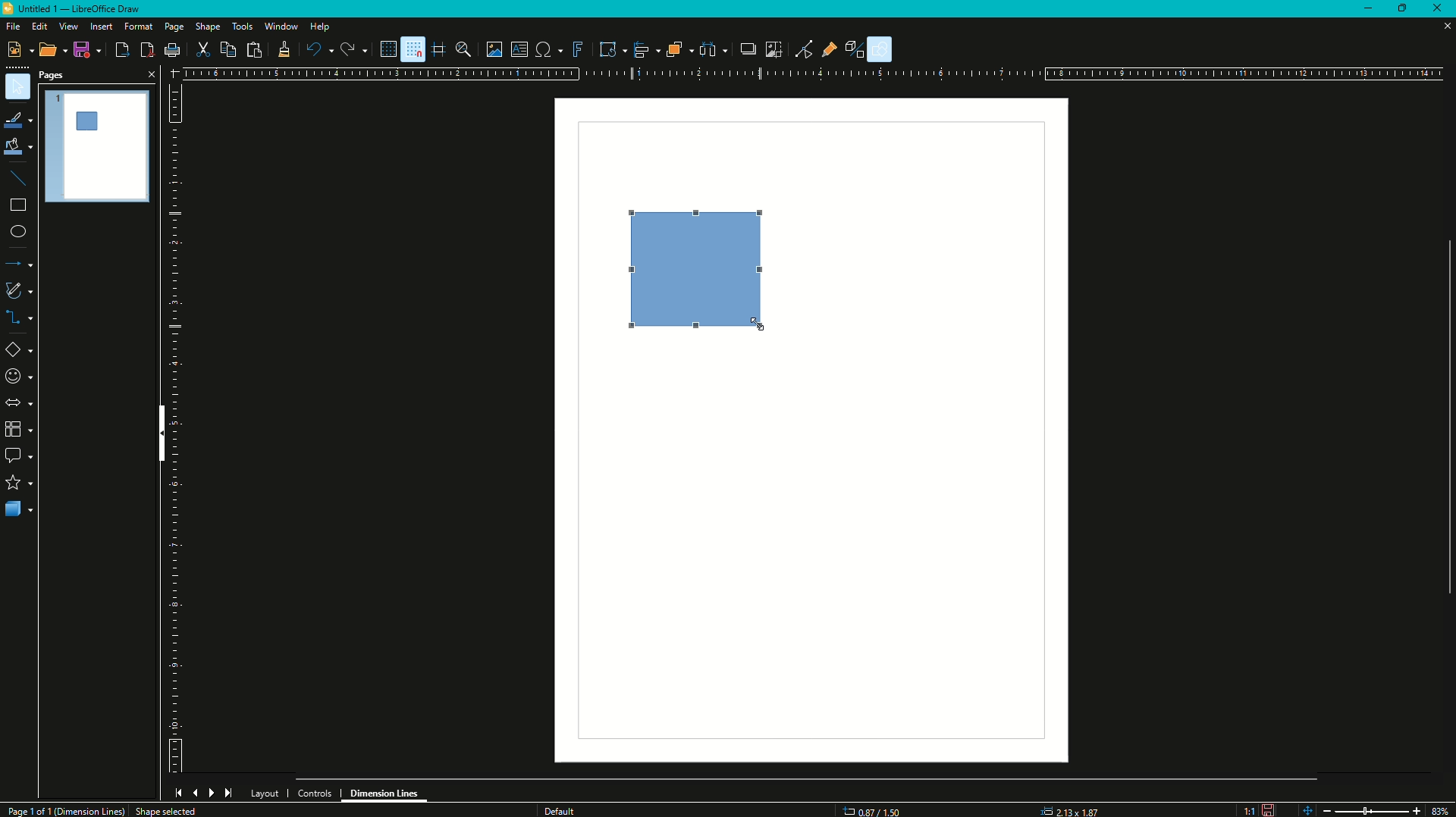 This screenshot has width=1456, height=817. What do you see at coordinates (692, 265) in the screenshot?
I see `Resized square` at bounding box center [692, 265].